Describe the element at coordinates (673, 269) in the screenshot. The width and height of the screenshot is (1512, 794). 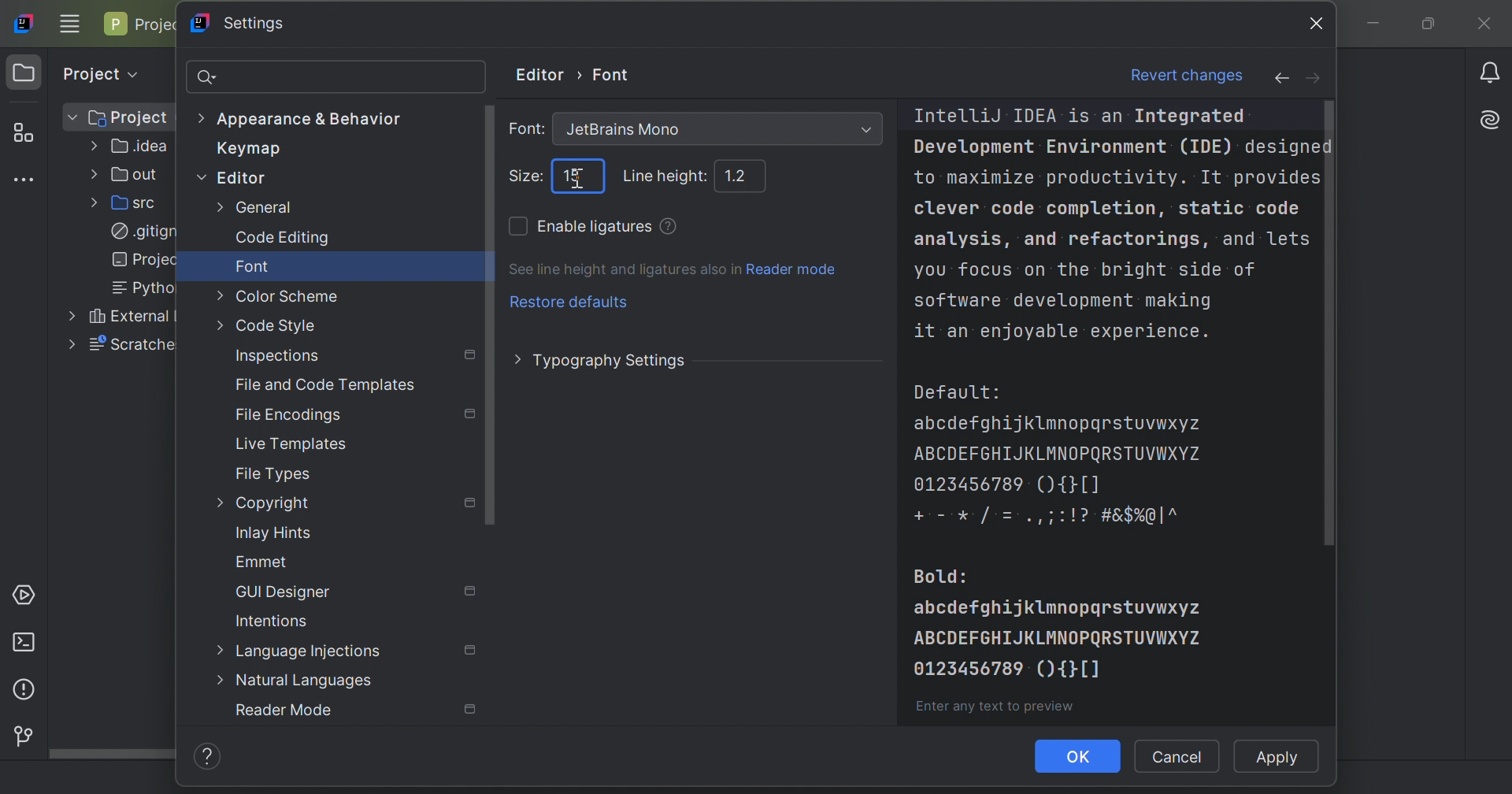
I see `See line height and ligatures also in Reader mode` at that location.